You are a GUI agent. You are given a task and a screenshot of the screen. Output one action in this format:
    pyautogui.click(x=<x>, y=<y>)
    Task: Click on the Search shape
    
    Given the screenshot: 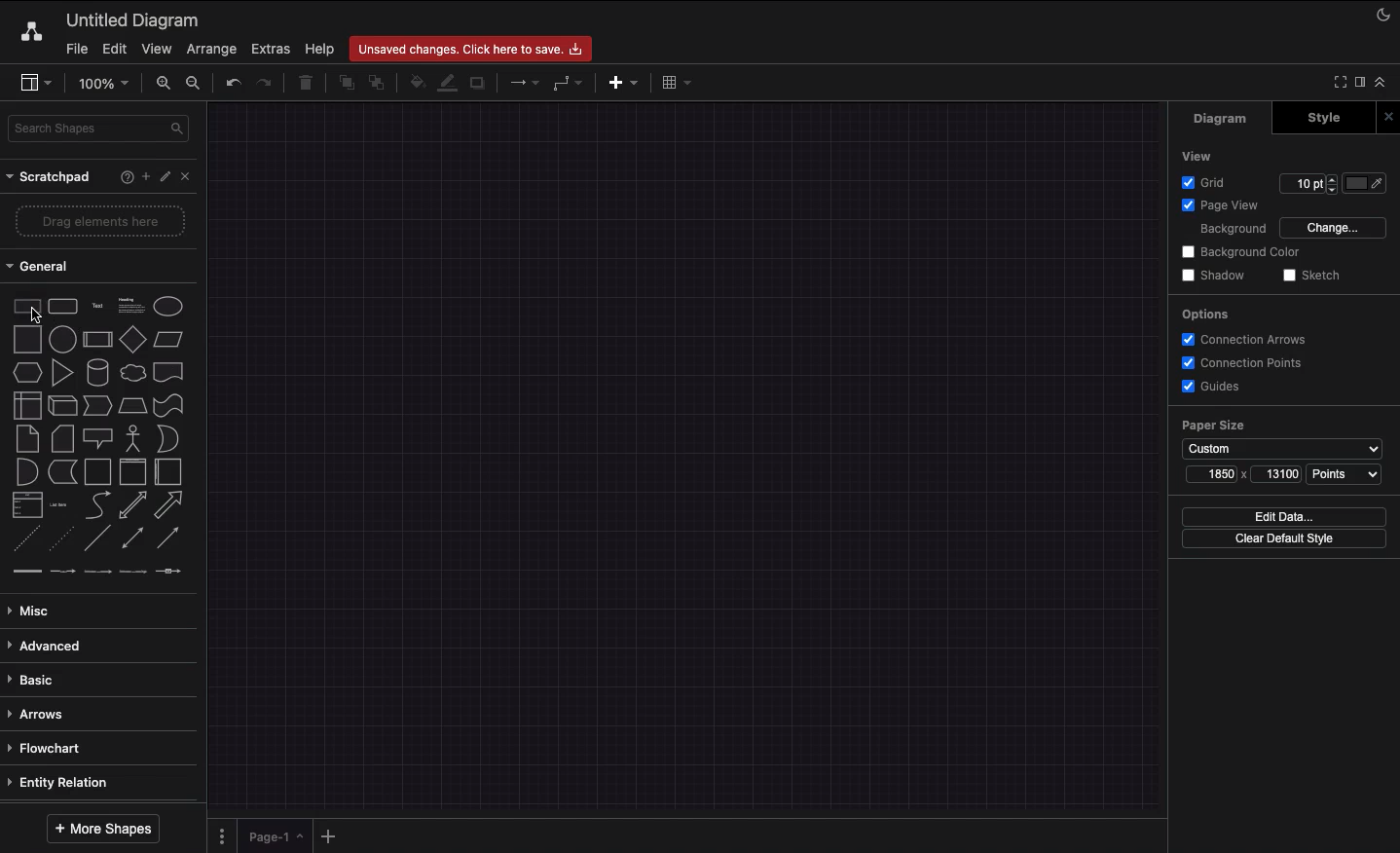 What is the action you would take?
    pyautogui.click(x=95, y=130)
    